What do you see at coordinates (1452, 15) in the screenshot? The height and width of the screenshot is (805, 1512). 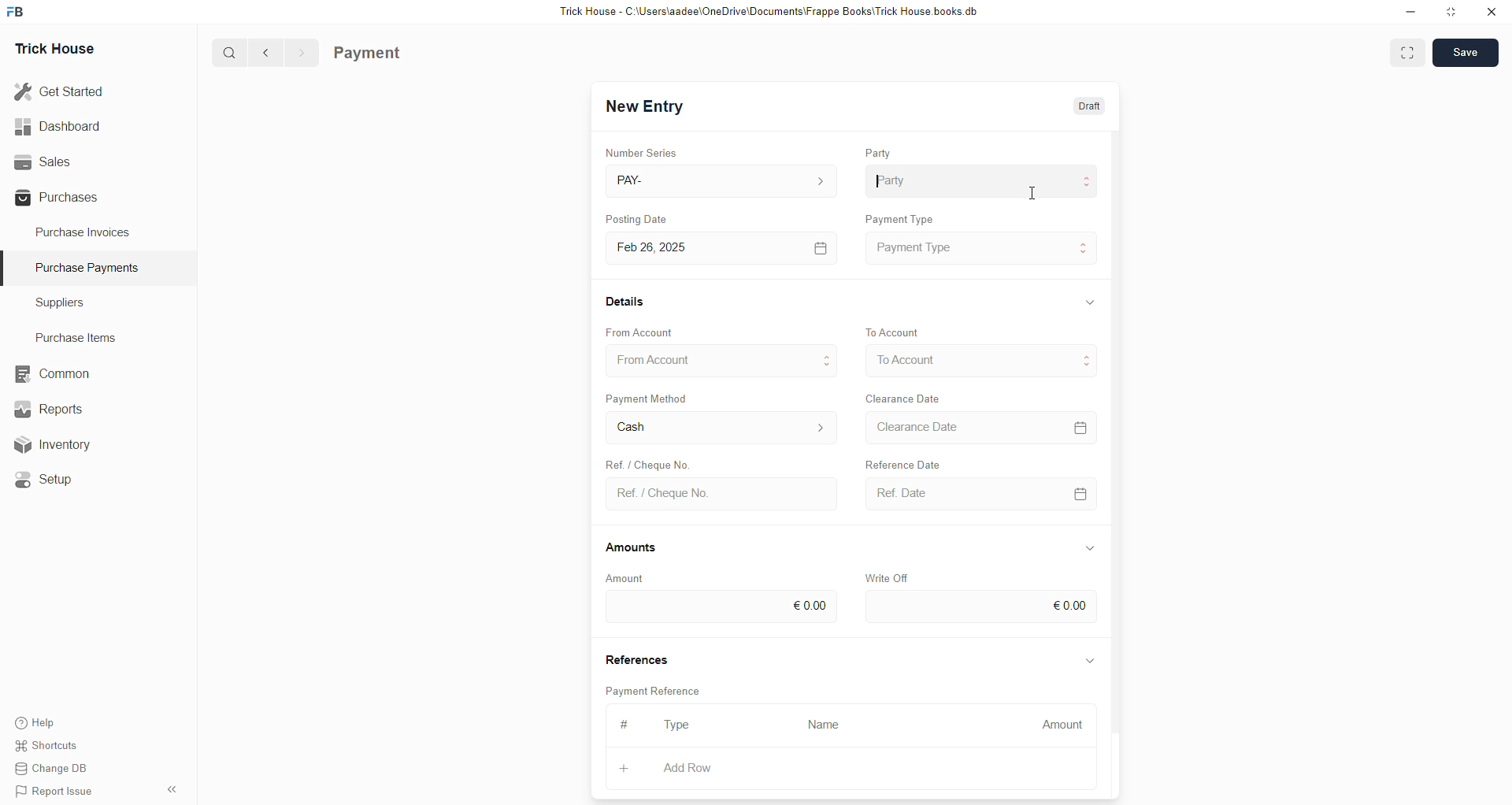 I see `Maximize` at bounding box center [1452, 15].